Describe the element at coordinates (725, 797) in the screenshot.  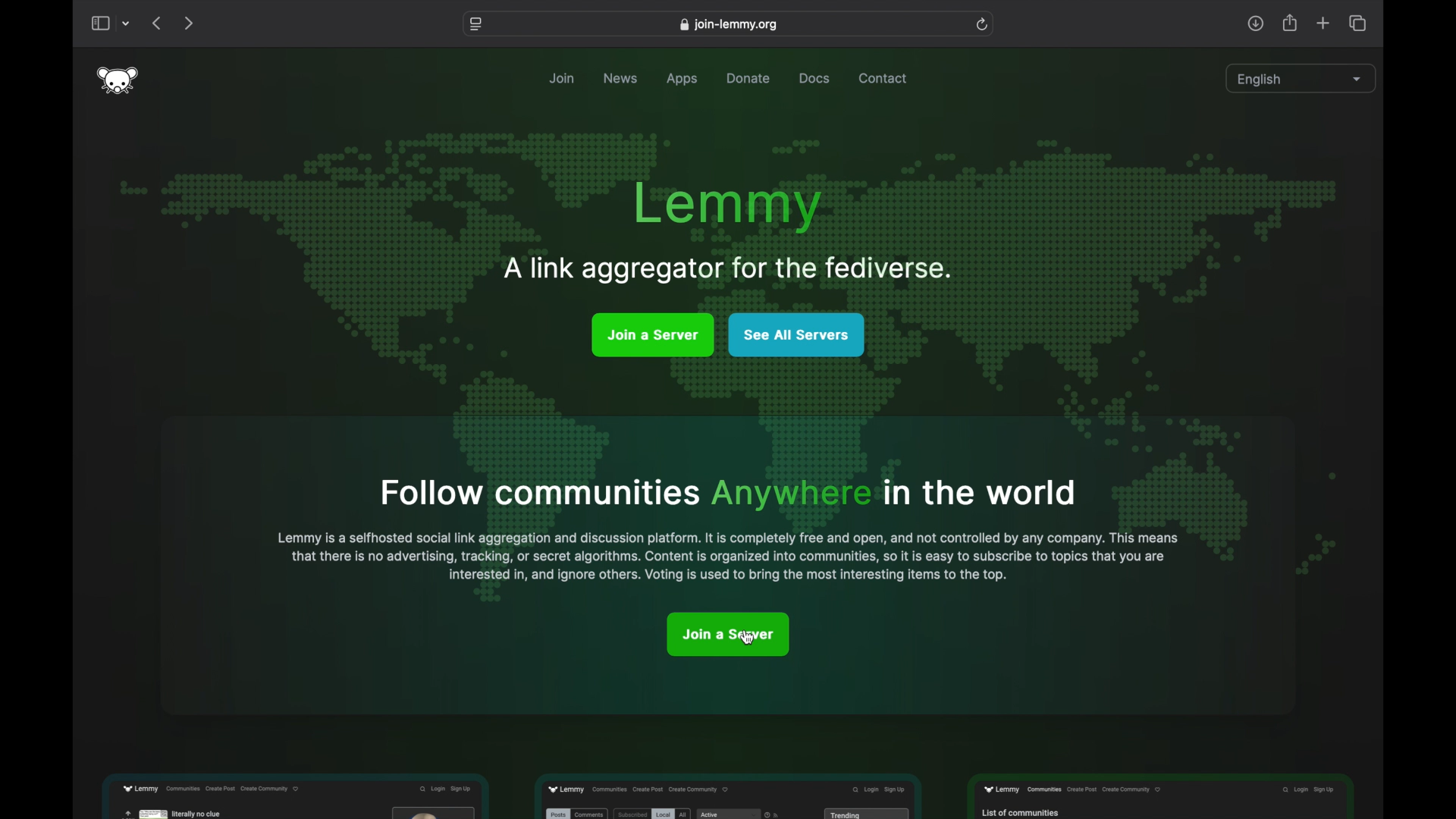
I see `feature preview` at that location.